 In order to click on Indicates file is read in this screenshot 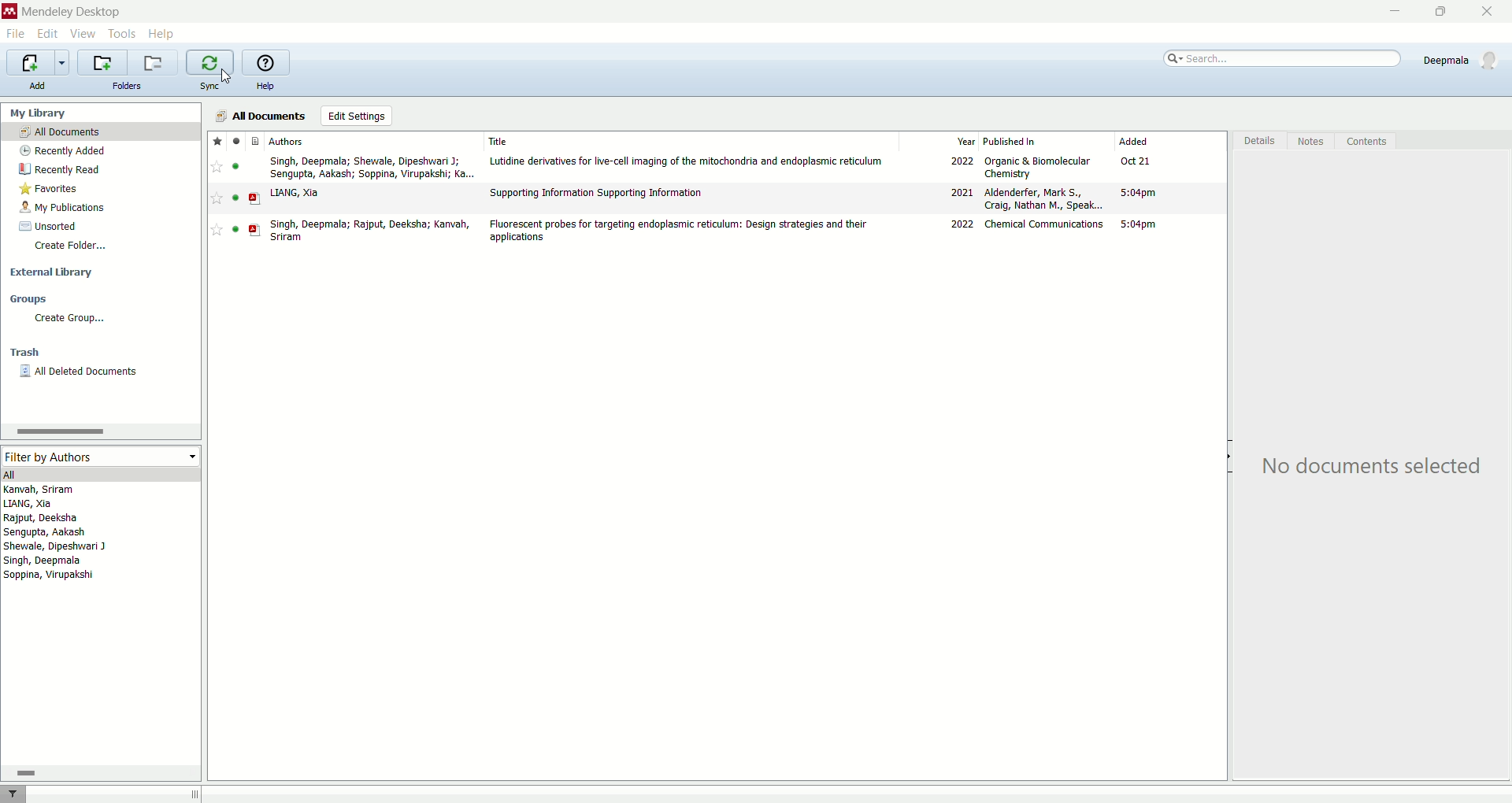, I will do `click(235, 230)`.